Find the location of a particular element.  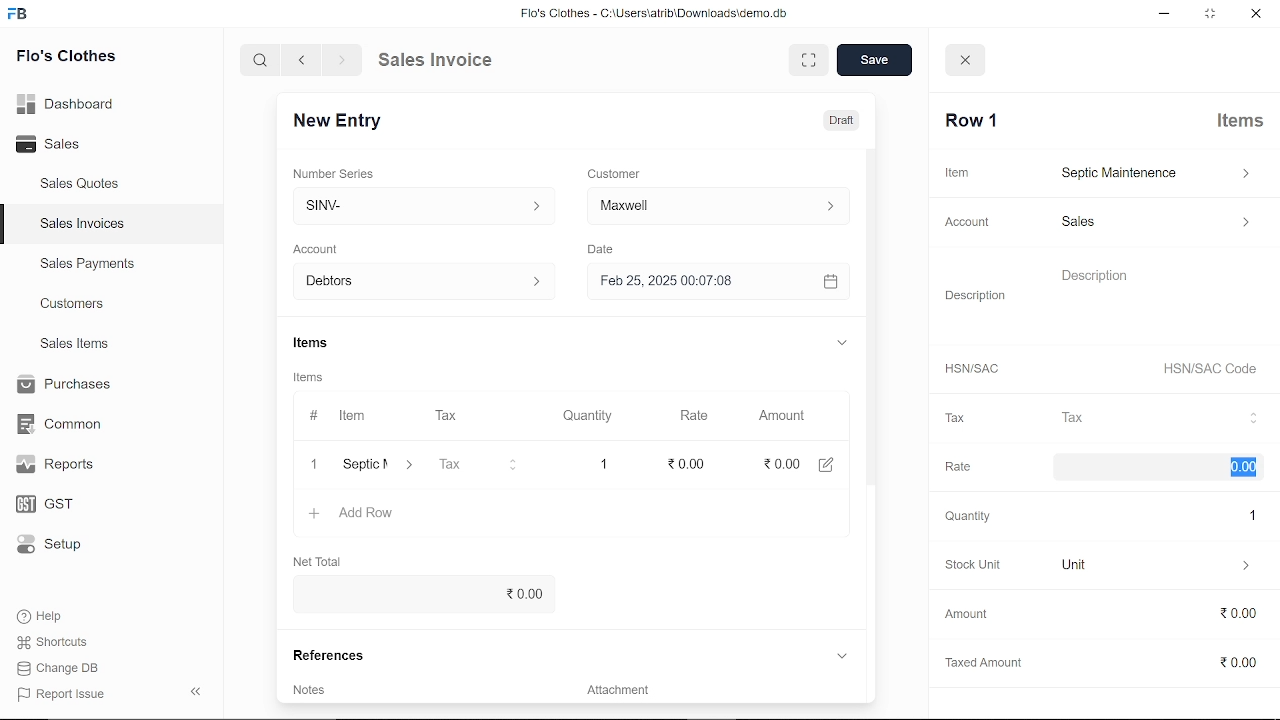

description is located at coordinates (1158, 297).